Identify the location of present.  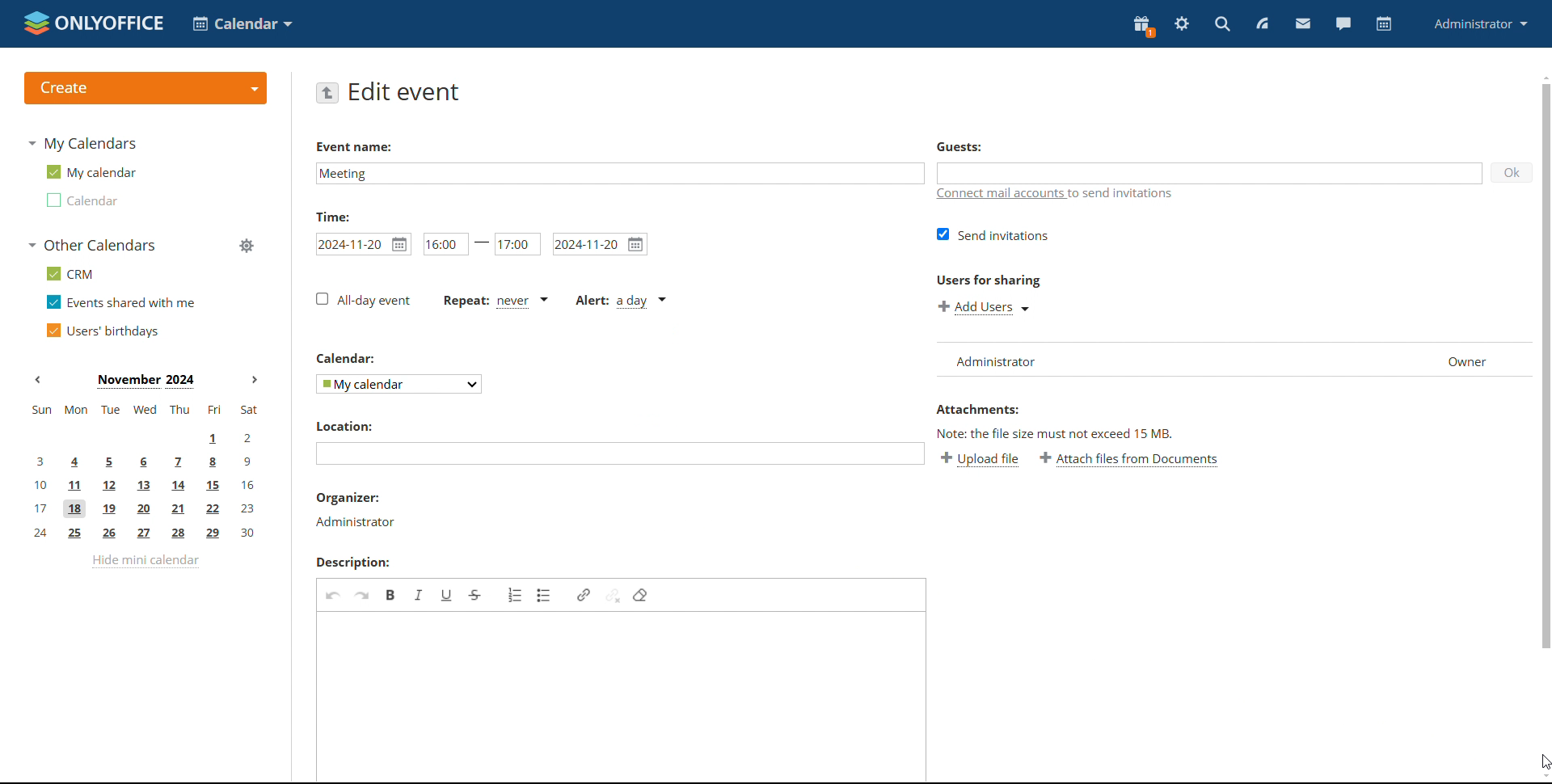
(1144, 25).